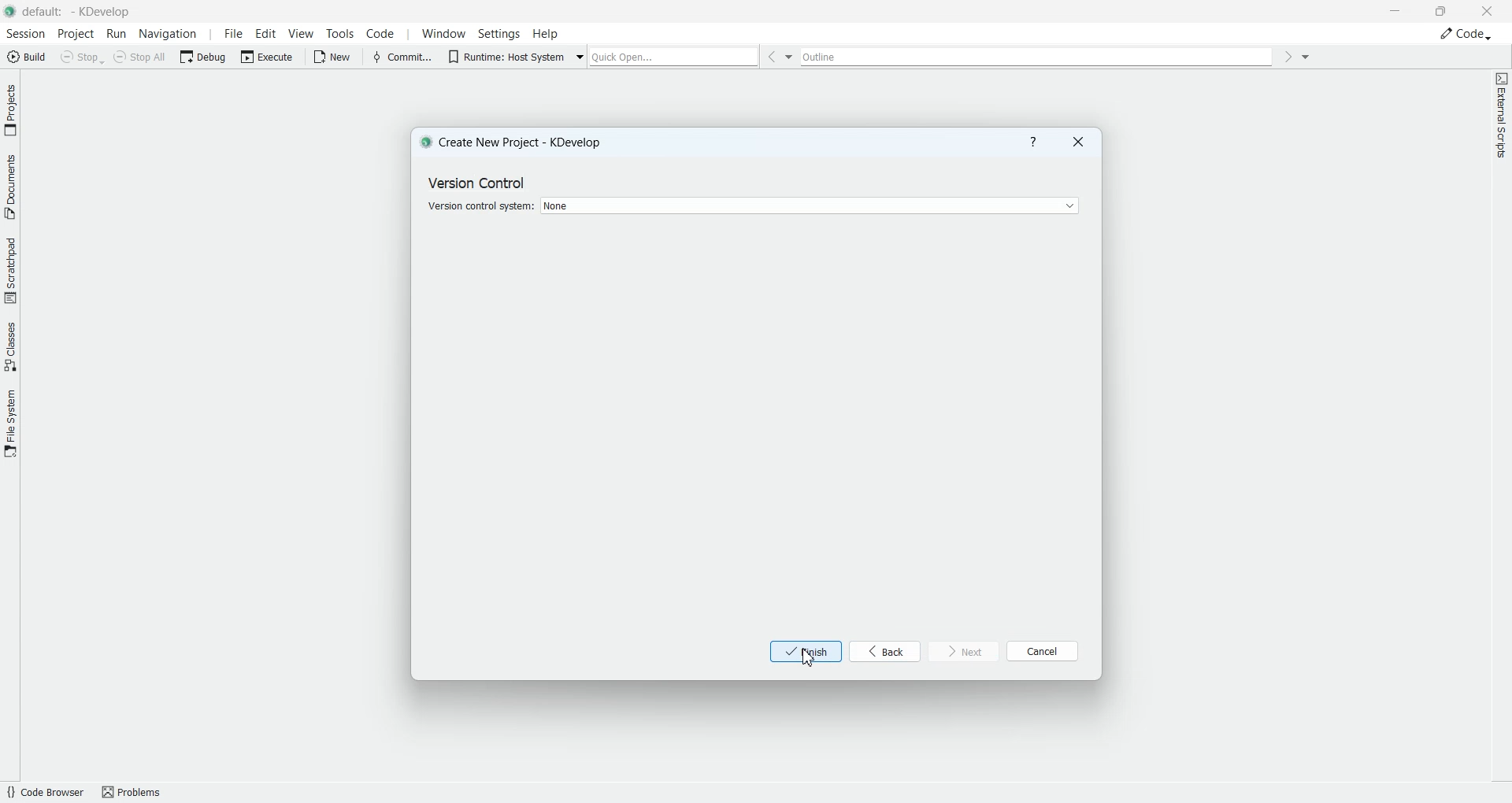 The height and width of the screenshot is (803, 1512). I want to click on Help, so click(1033, 142).